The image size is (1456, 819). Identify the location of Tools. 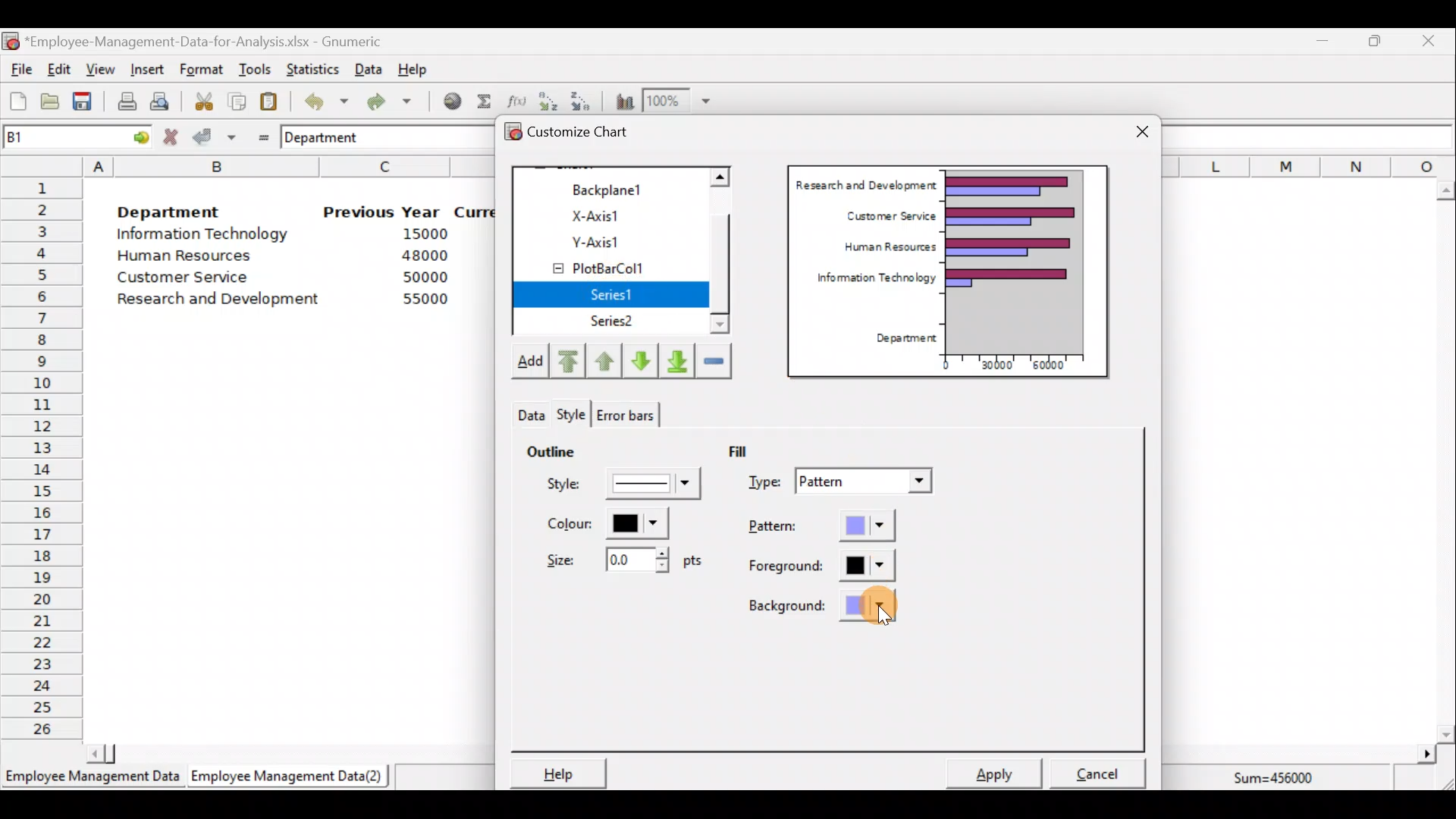
(254, 71).